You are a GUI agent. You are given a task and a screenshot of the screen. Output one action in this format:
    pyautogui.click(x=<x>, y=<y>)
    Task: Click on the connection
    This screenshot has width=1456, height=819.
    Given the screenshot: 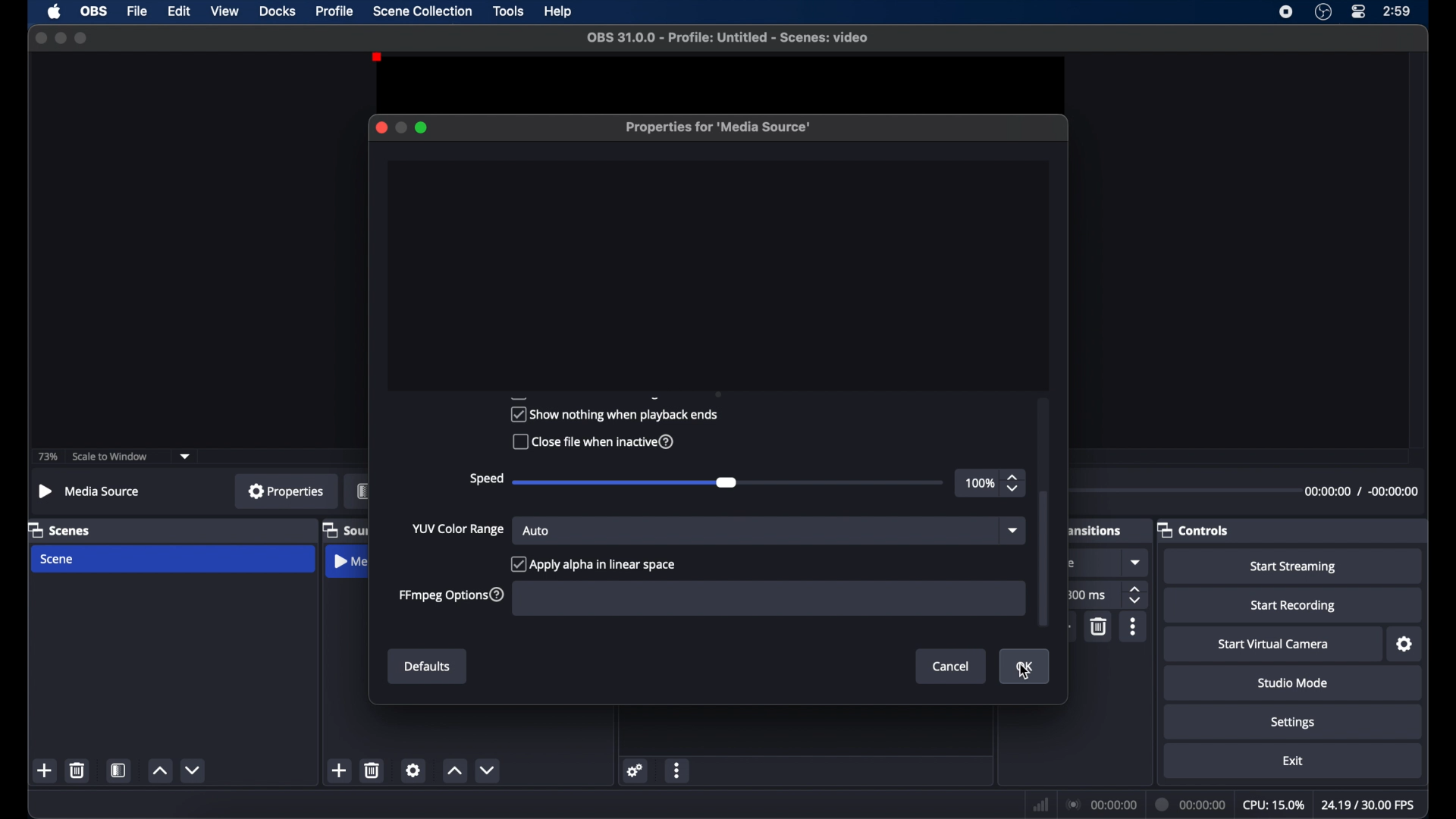 What is the action you would take?
    pyautogui.click(x=1100, y=805)
    